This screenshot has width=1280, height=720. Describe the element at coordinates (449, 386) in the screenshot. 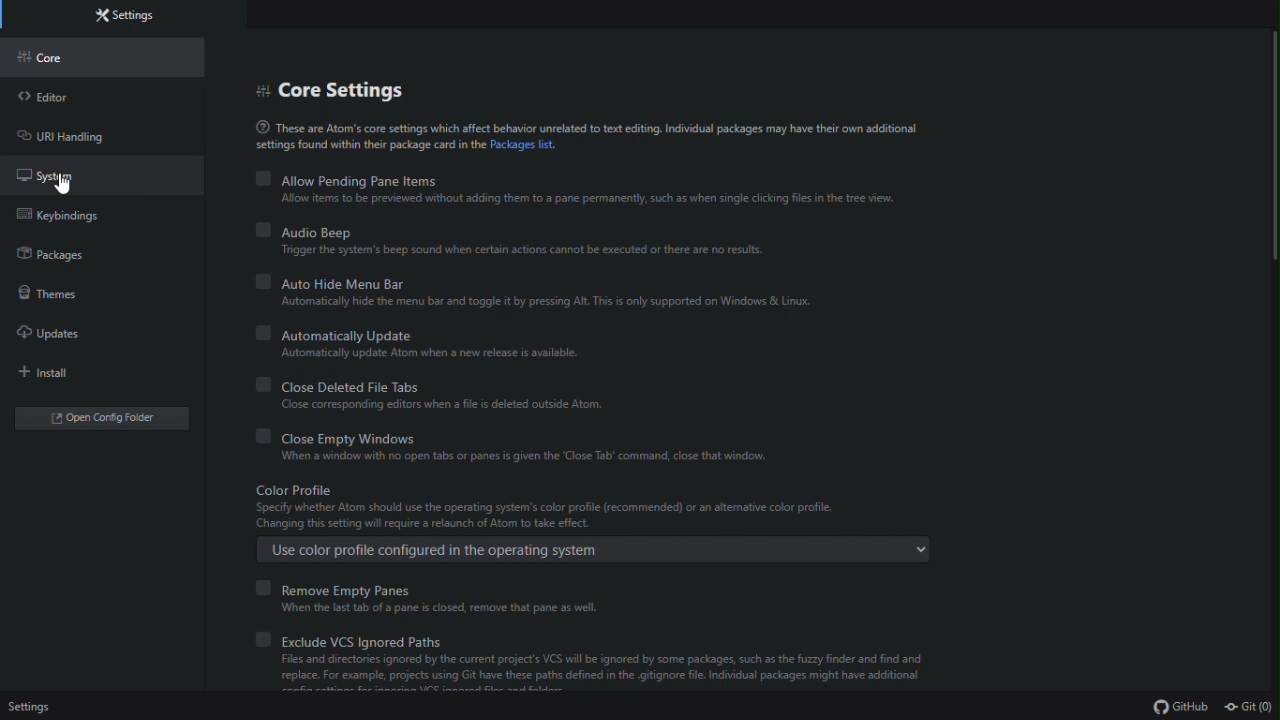

I see `Close deleted file tabs` at that location.